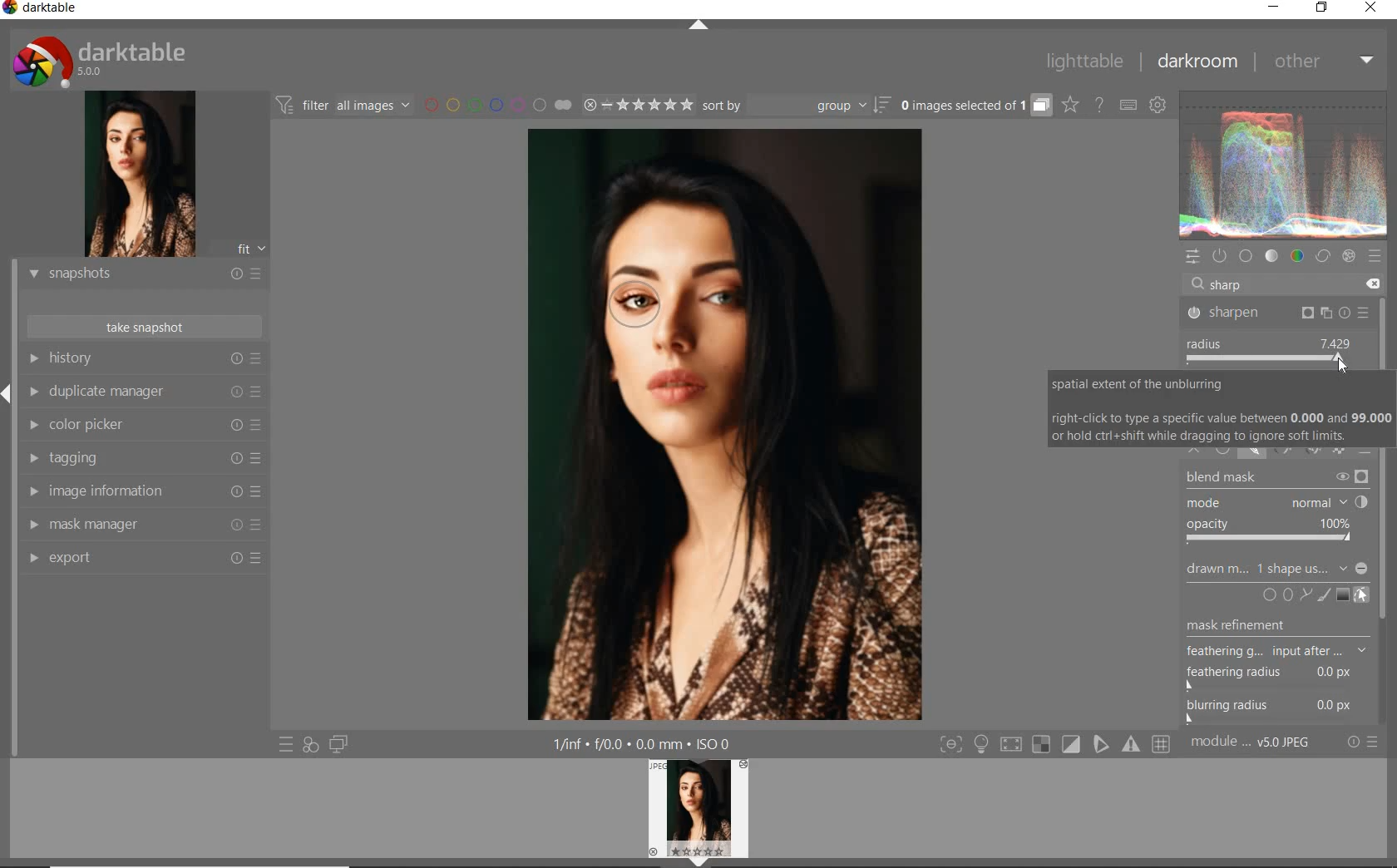  I want to click on Preview Image, so click(698, 808).